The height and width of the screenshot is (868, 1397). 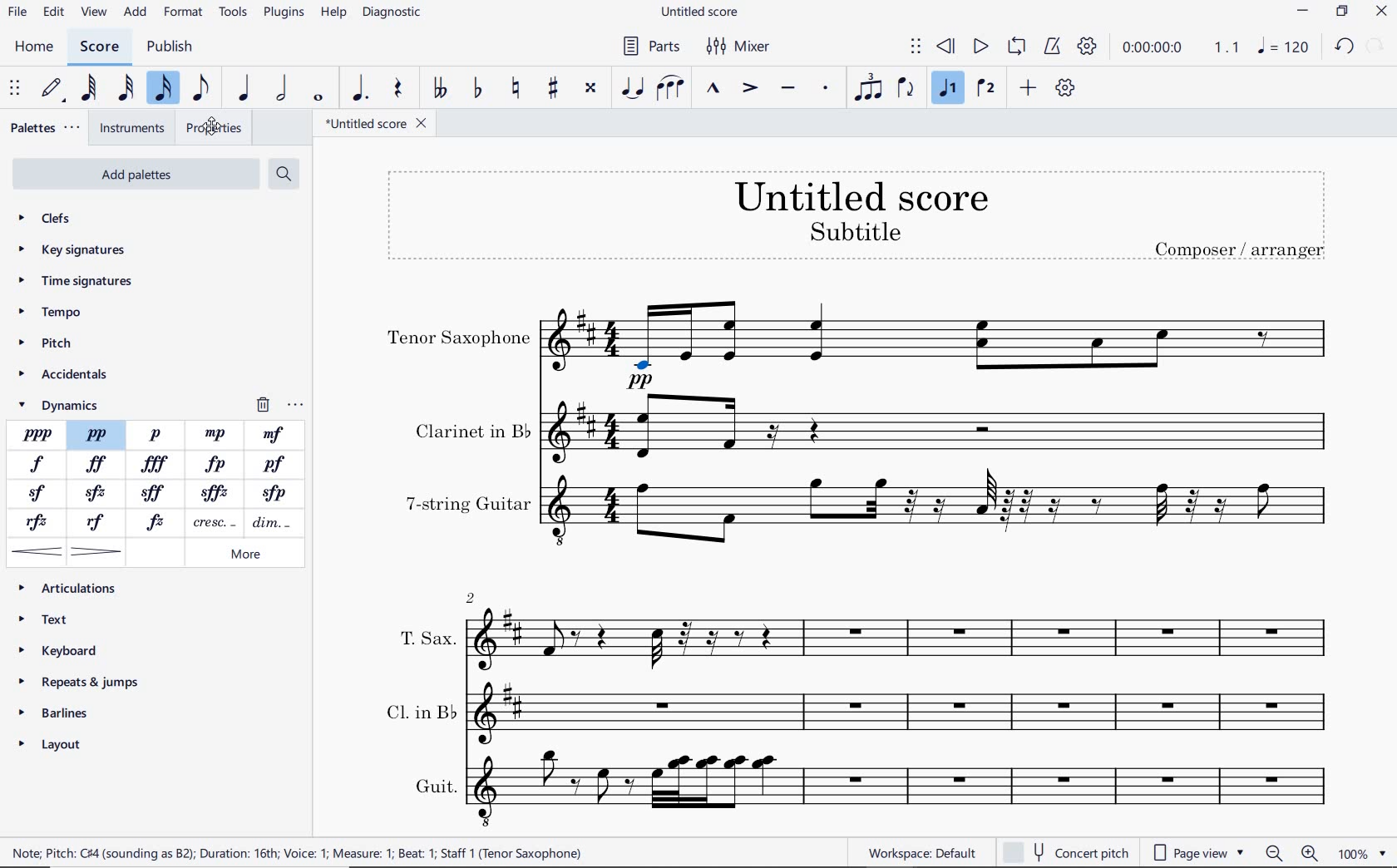 I want to click on text, so click(x=433, y=786).